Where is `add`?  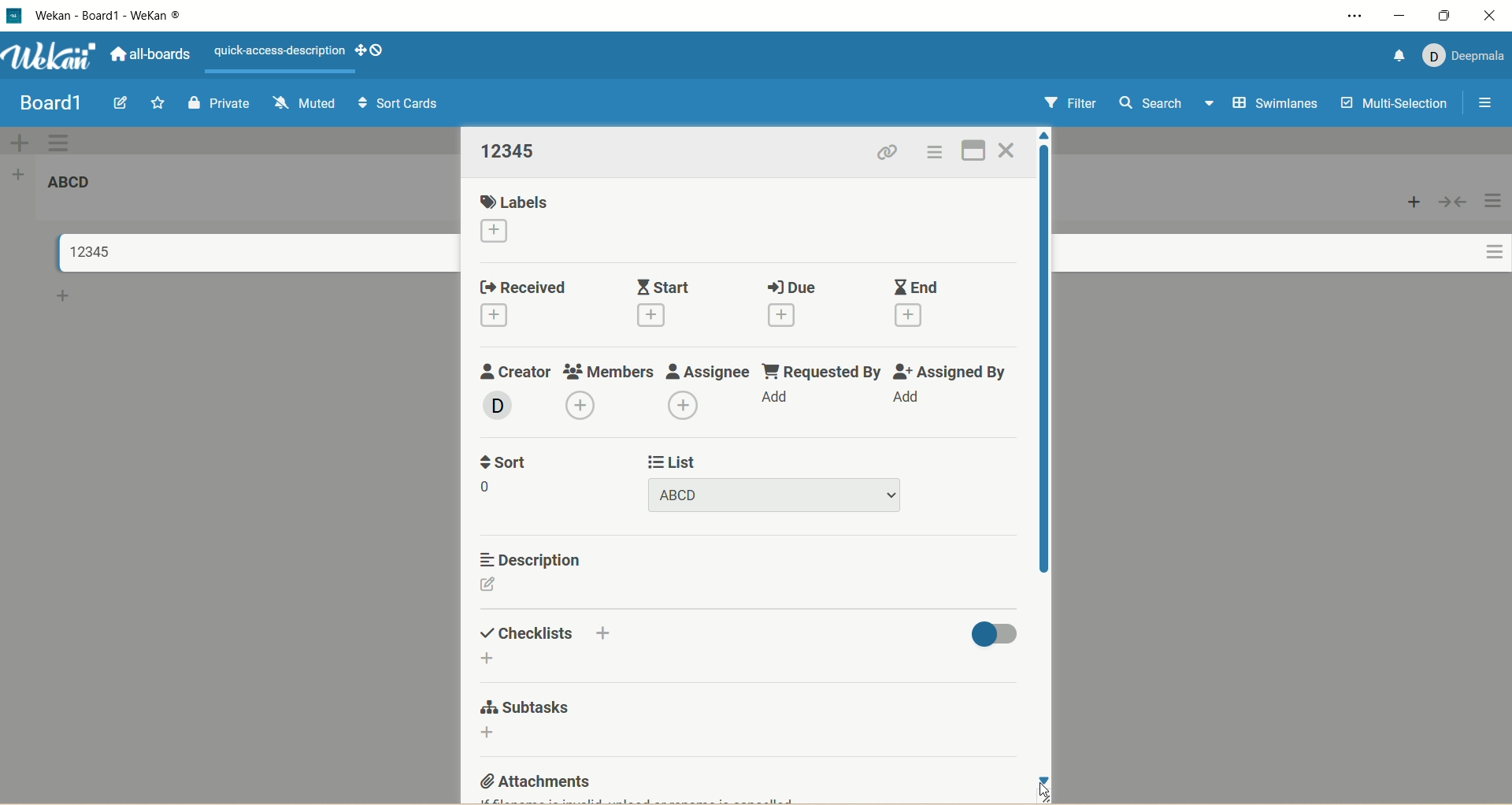 add is located at coordinates (908, 400).